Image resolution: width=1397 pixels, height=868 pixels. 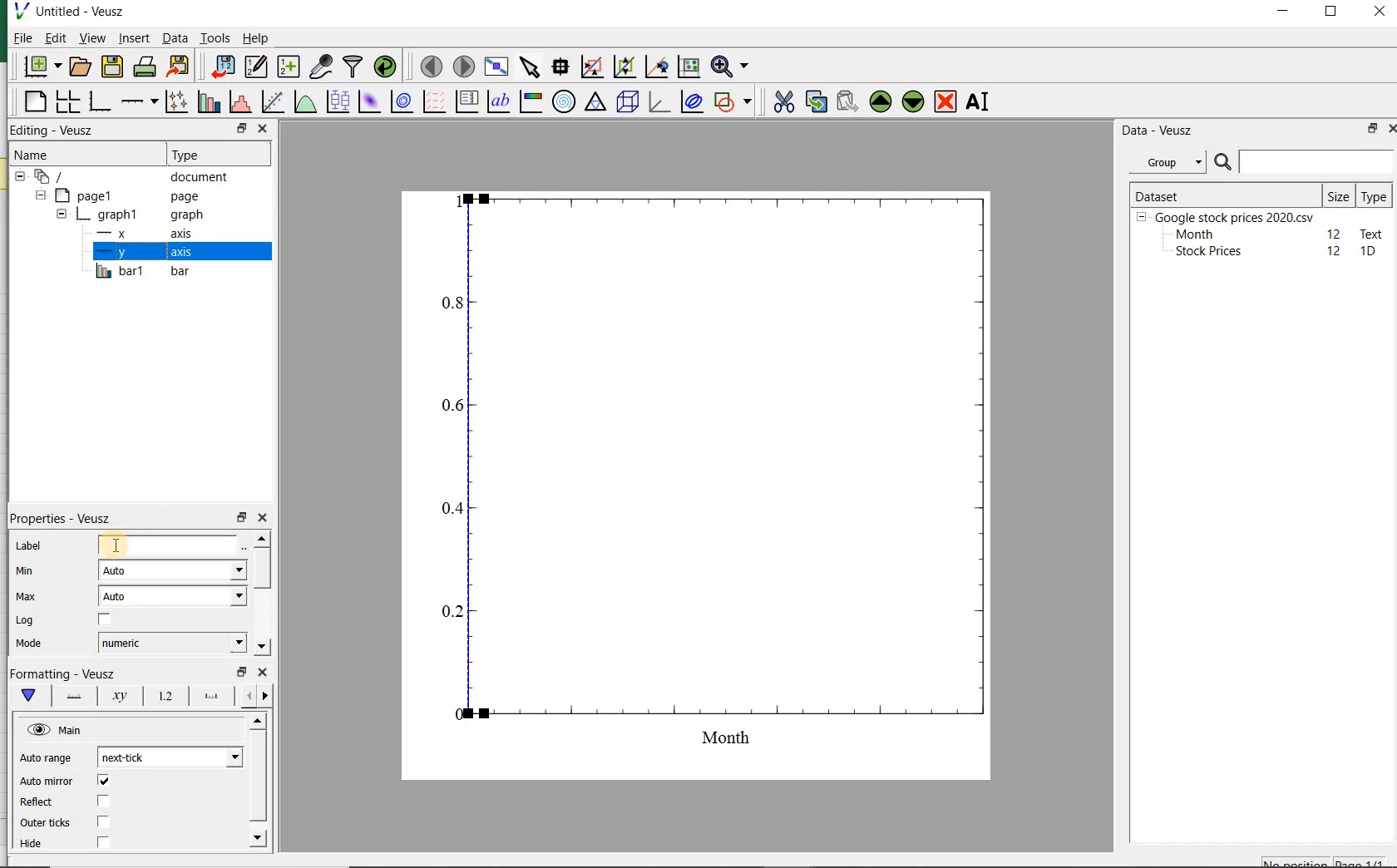 I want to click on click to recenter graph axes, so click(x=654, y=67).